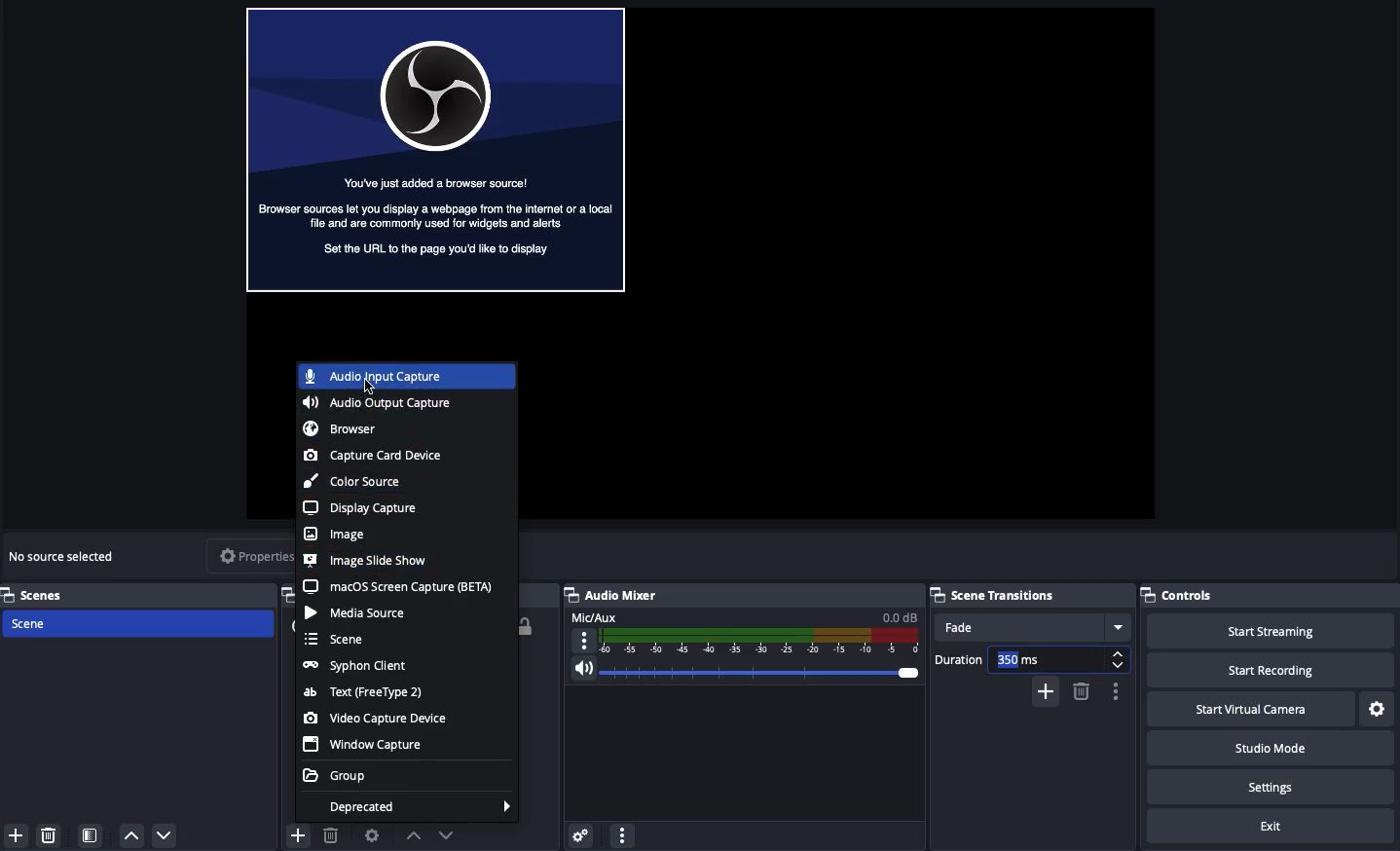  Describe the element at coordinates (129, 835) in the screenshot. I see `Up` at that location.